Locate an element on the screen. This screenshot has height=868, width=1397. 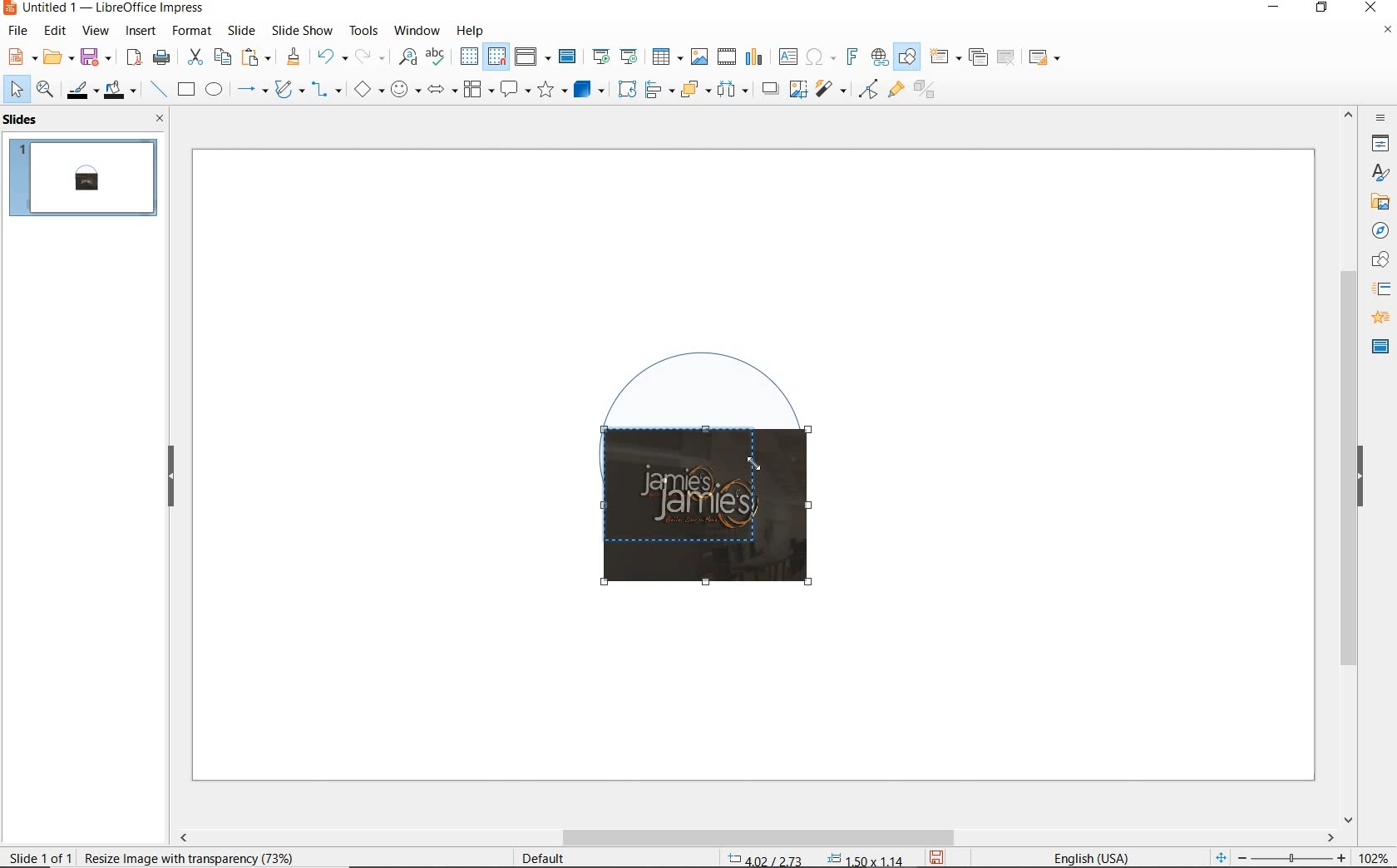
duplicate slide is located at coordinates (978, 57).